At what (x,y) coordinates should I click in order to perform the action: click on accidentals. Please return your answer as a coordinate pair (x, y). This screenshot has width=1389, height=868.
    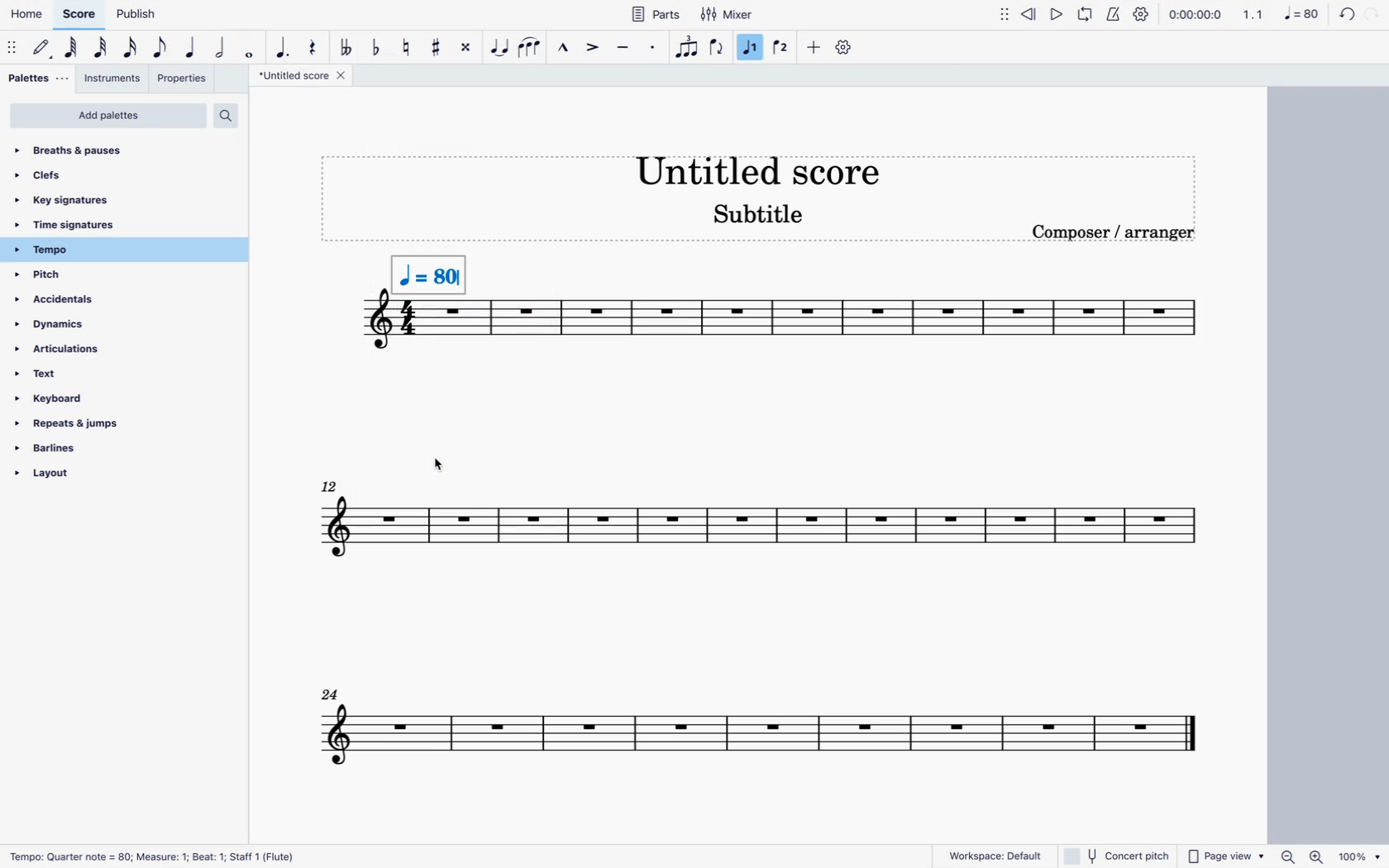
    Looking at the image, I should click on (65, 299).